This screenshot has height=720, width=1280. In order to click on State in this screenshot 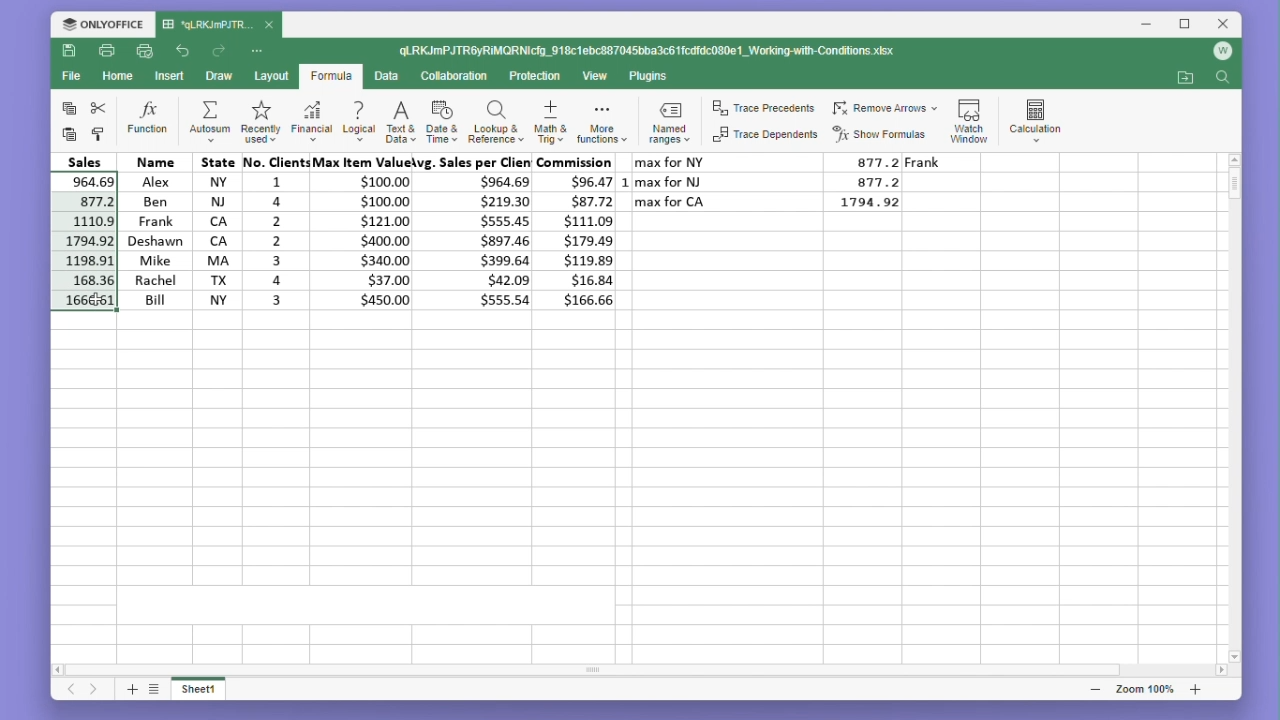, I will do `click(217, 230)`.